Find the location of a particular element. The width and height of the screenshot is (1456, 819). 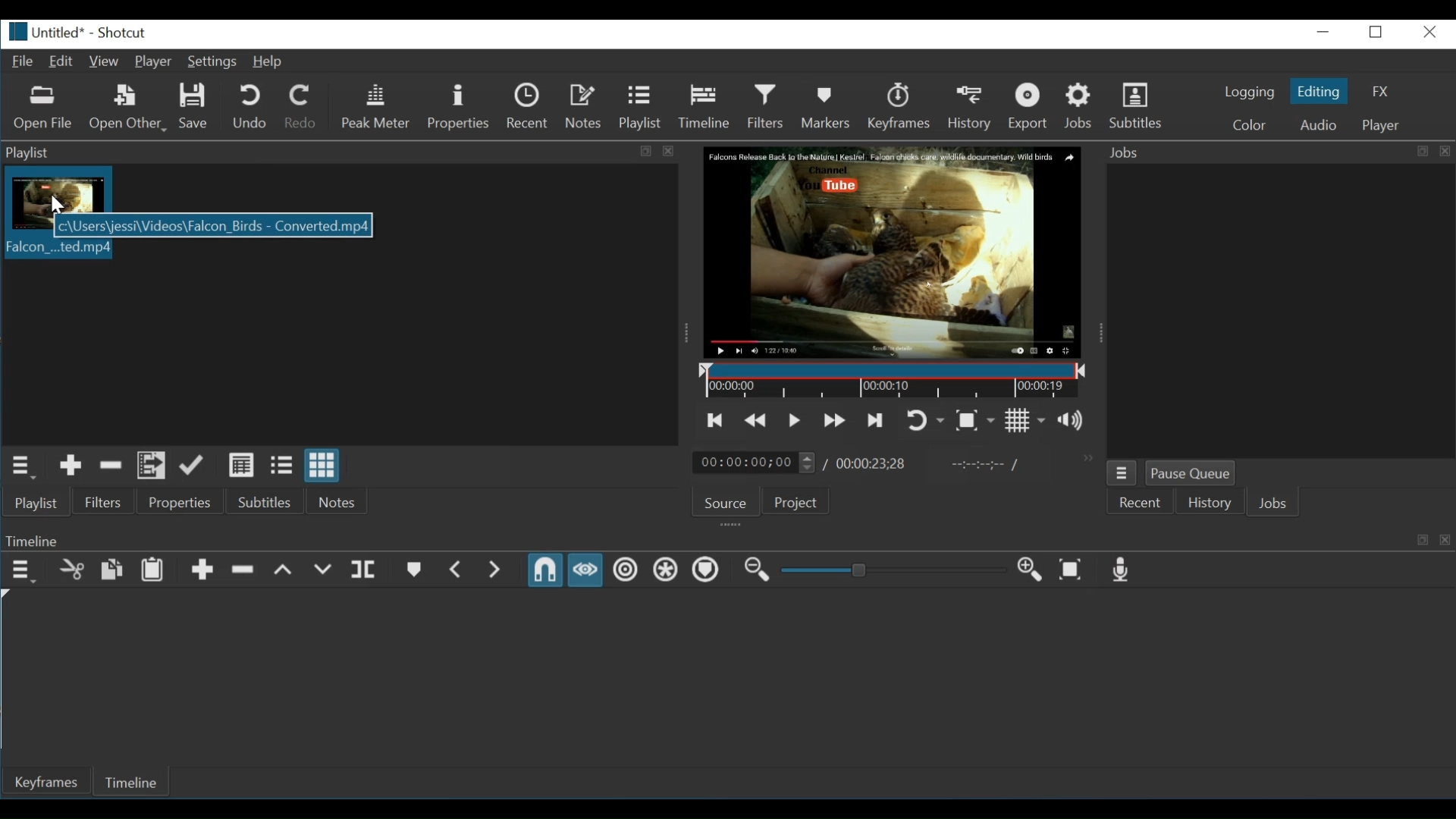

Settings is located at coordinates (212, 61).